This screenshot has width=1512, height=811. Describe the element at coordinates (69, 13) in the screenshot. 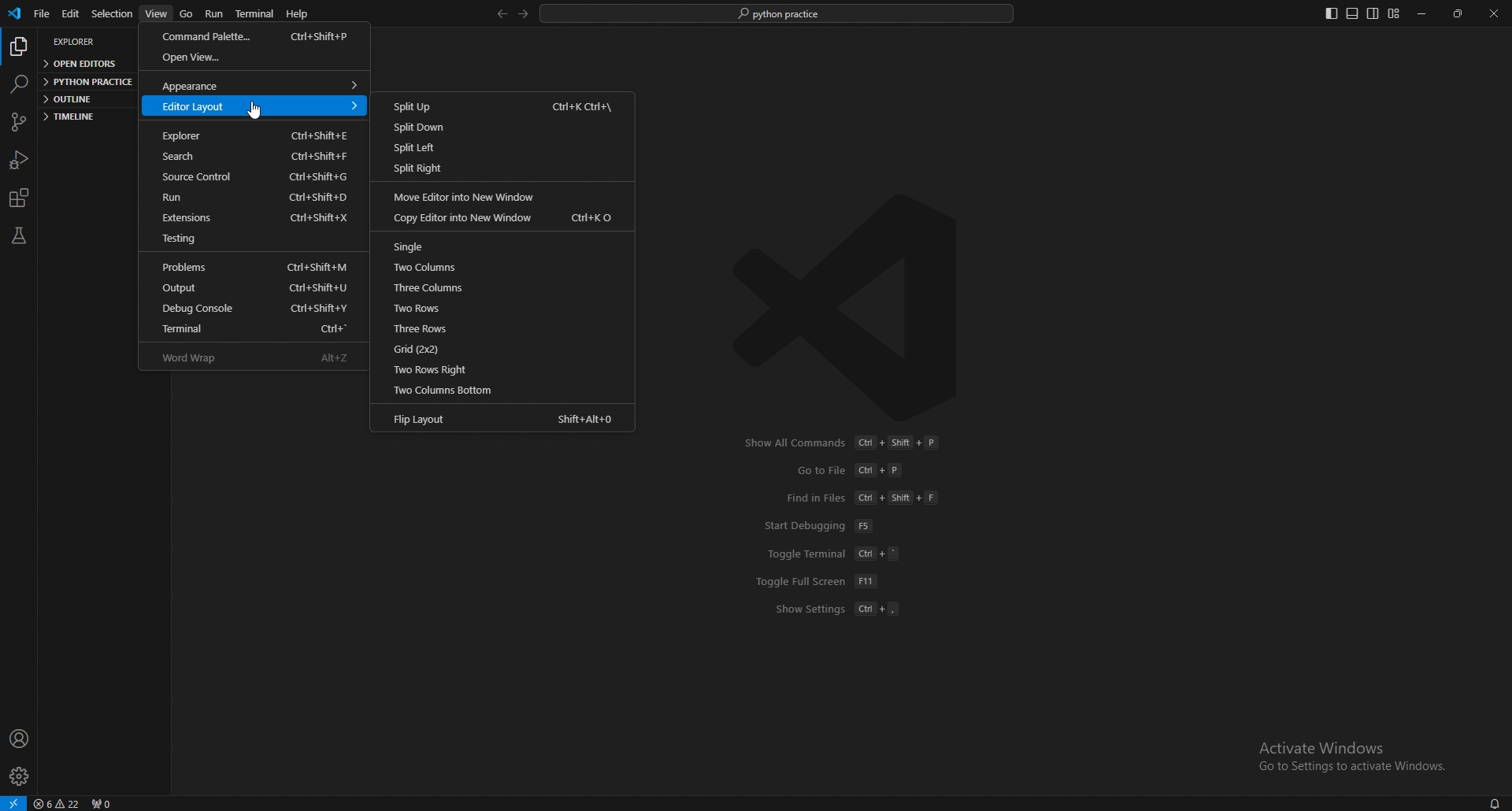

I see `edit` at that location.